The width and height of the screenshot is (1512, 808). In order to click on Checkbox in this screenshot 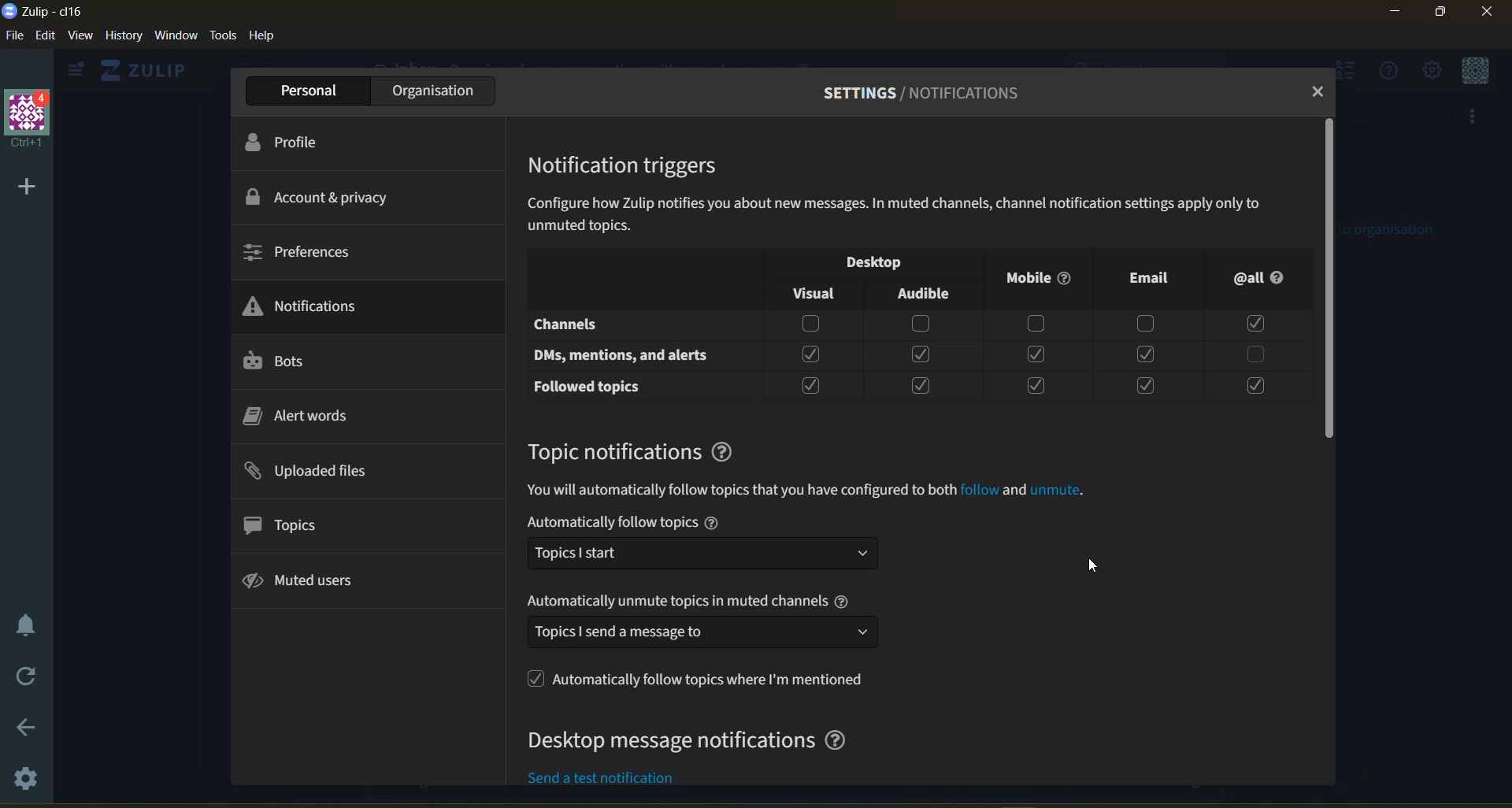, I will do `click(811, 387)`.